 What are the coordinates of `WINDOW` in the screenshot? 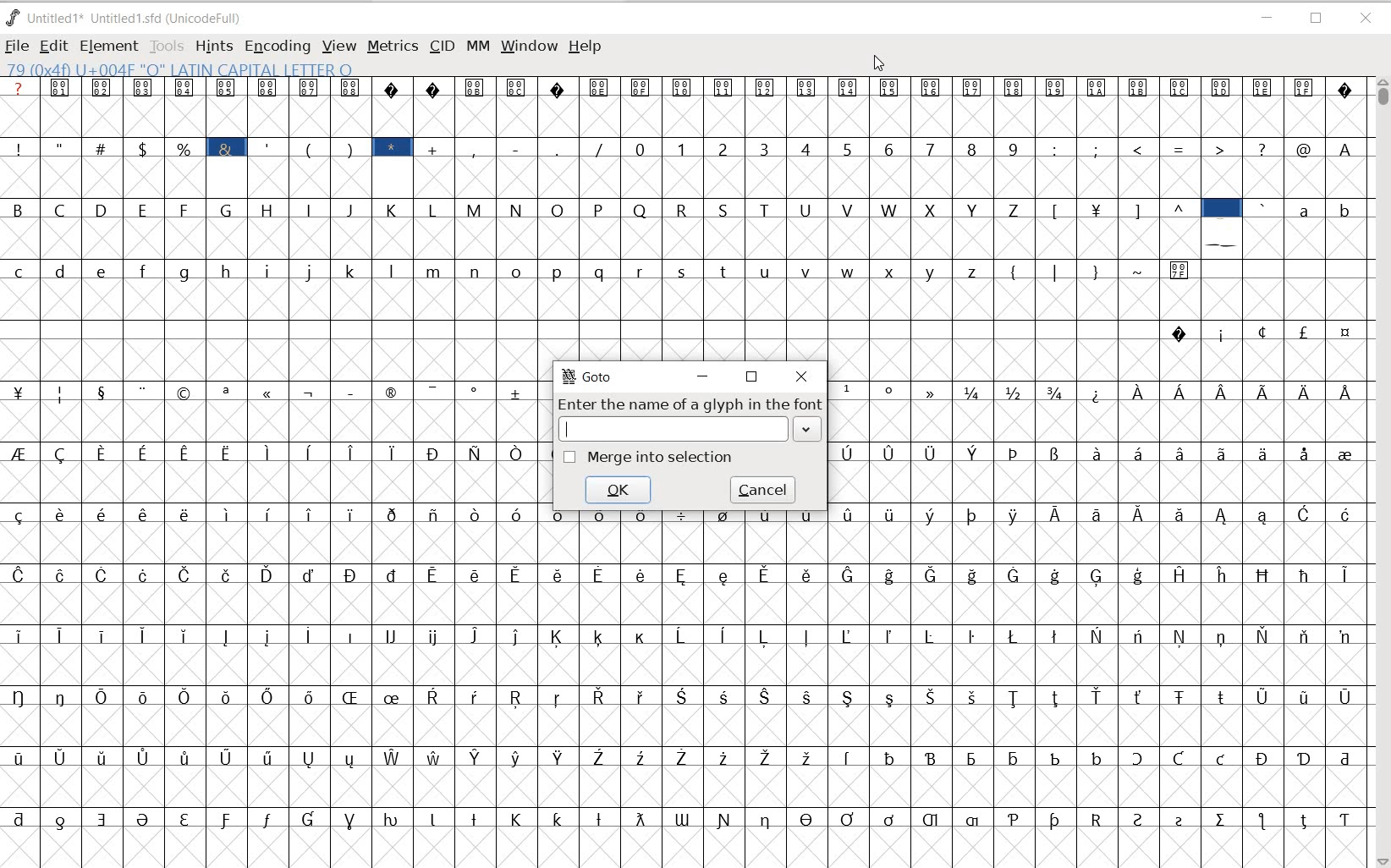 It's located at (528, 46).